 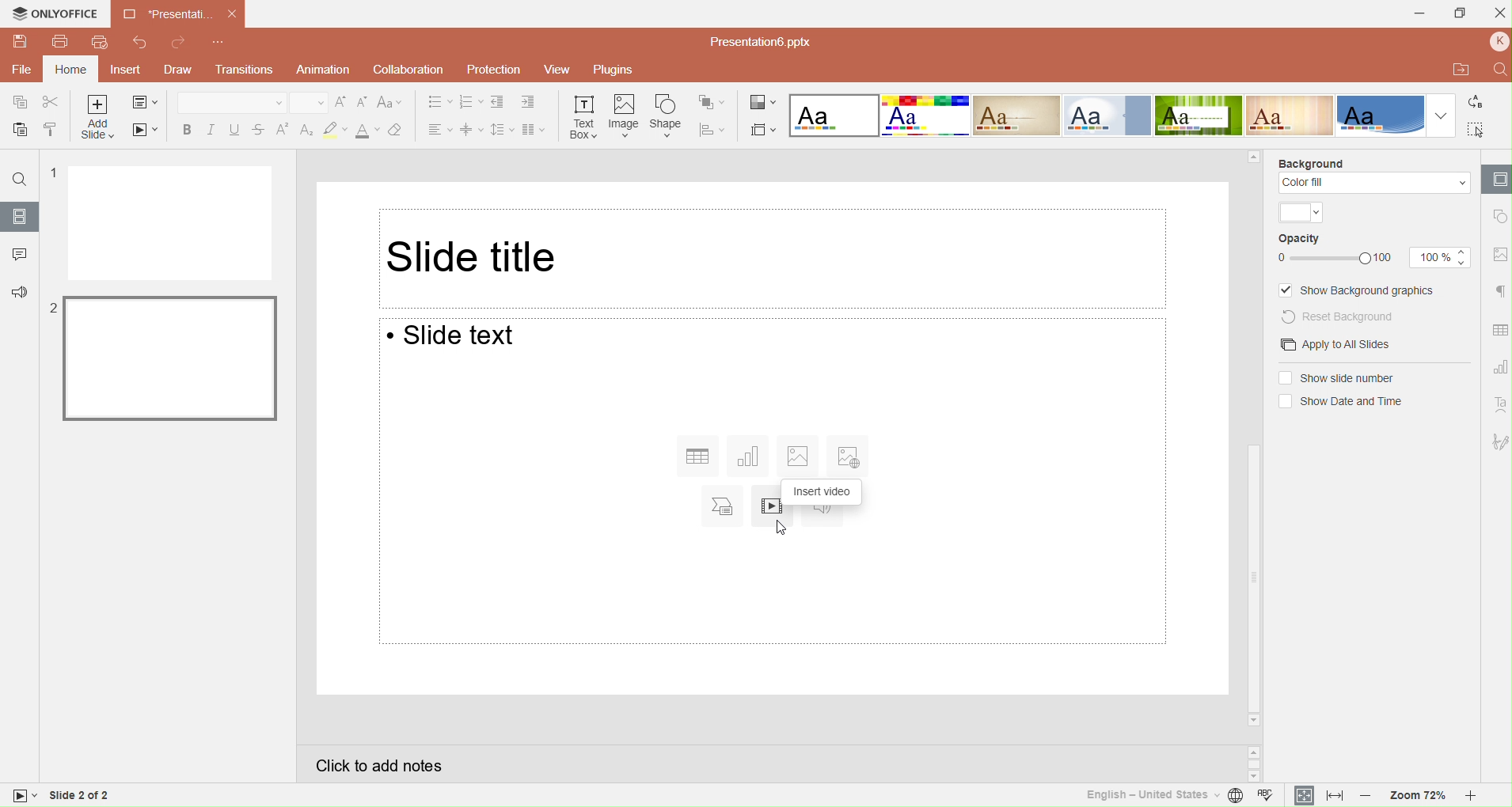 What do you see at coordinates (20, 216) in the screenshot?
I see `Slides` at bounding box center [20, 216].